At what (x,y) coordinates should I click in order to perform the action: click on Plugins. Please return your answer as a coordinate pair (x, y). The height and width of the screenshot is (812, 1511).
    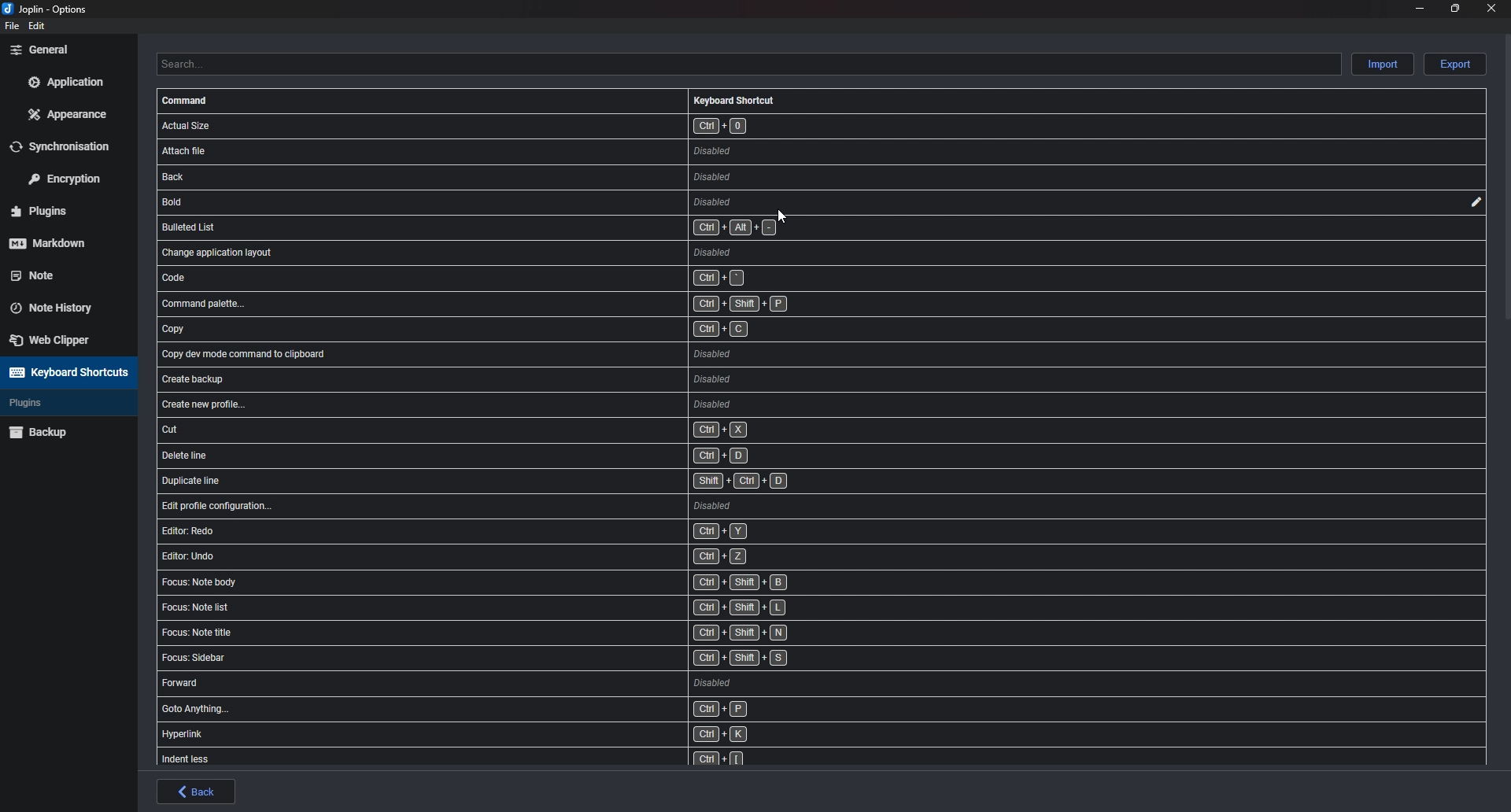
    Looking at the image, I should click on (61, 212).